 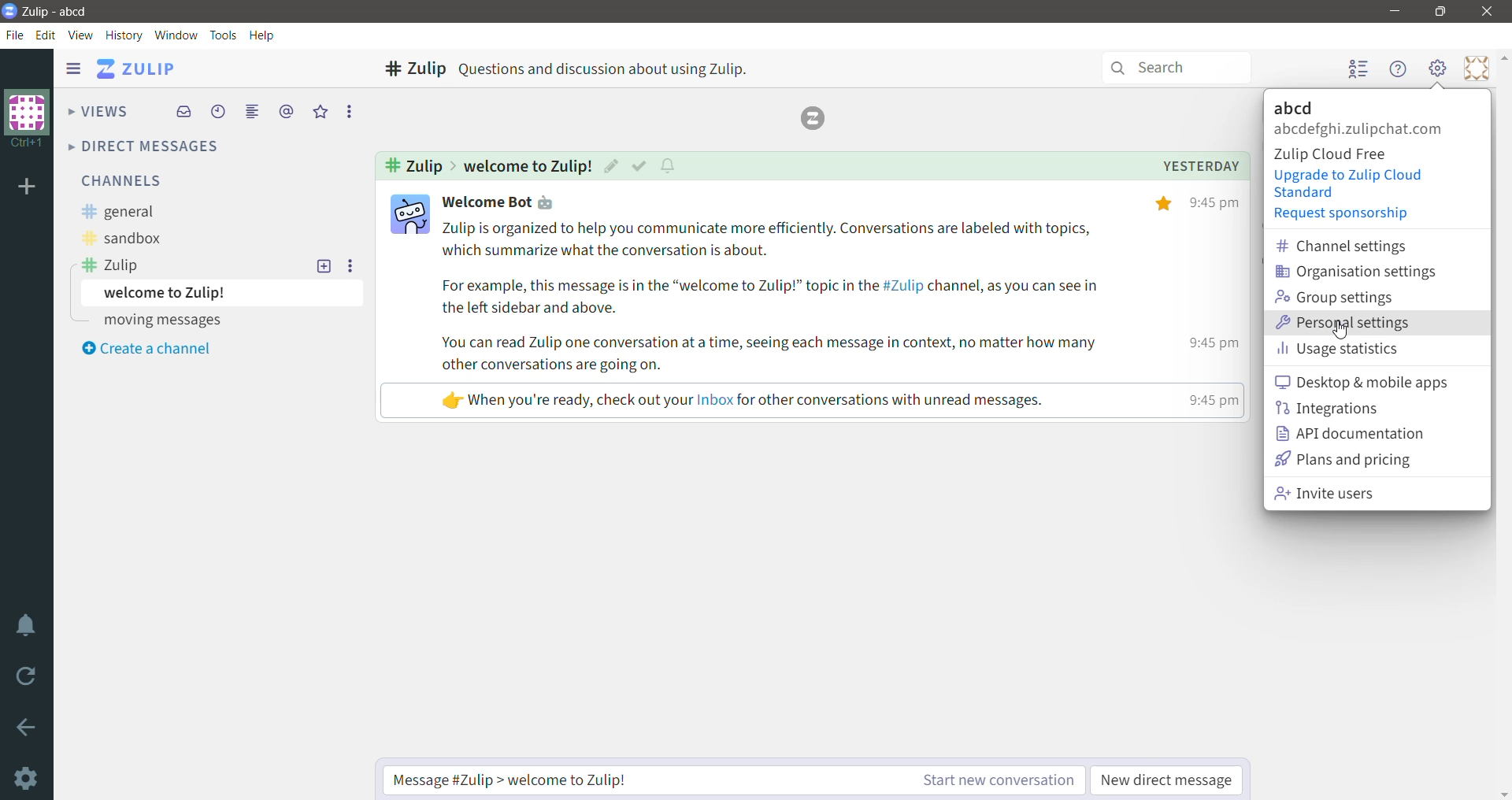 I want to click on Enable Do Not Disturb, so click(x=27, y=626).